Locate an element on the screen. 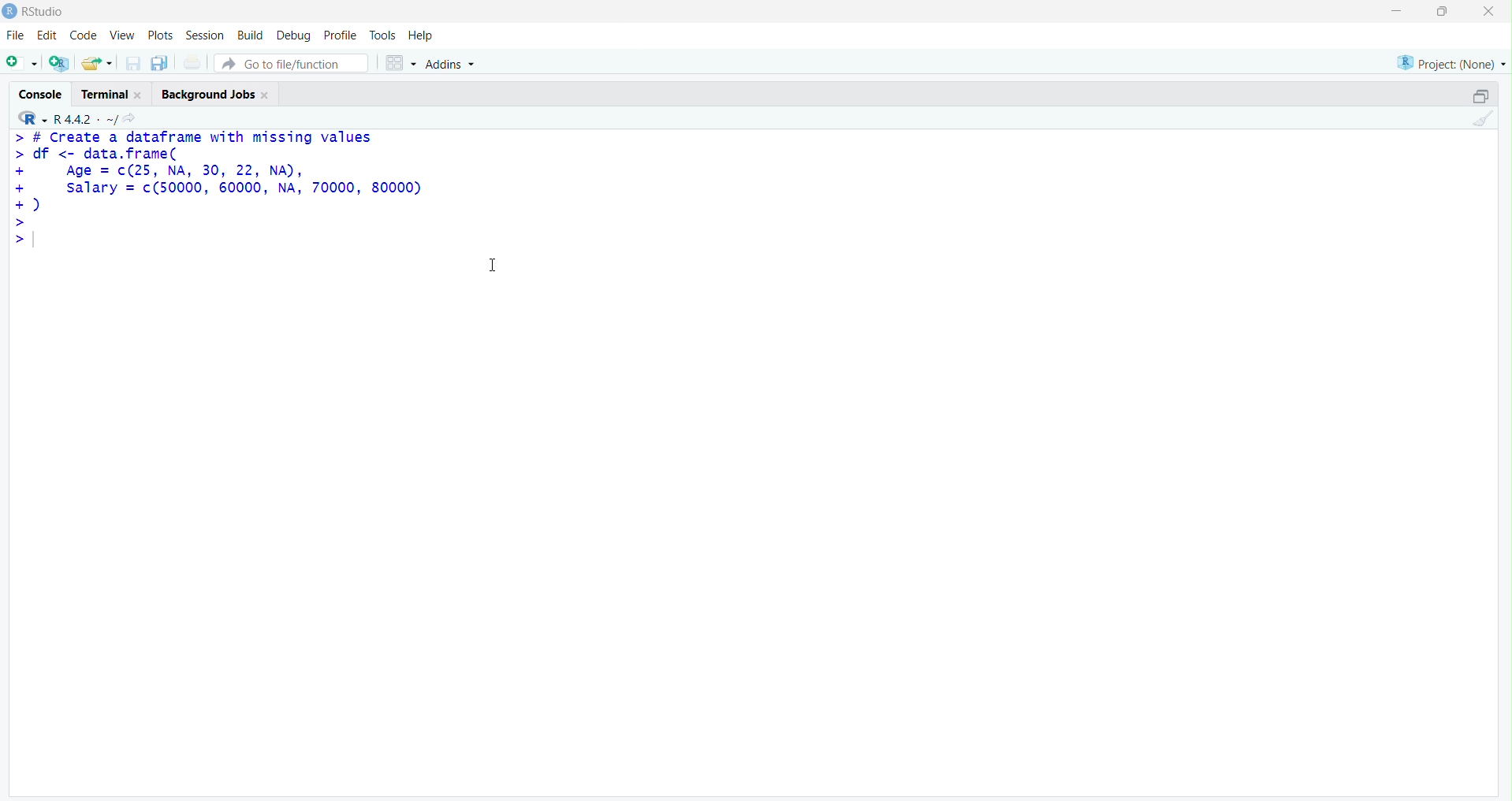 The width and height of the screenshot is (1512, 801). Addins is located at coordinates (450, 61).